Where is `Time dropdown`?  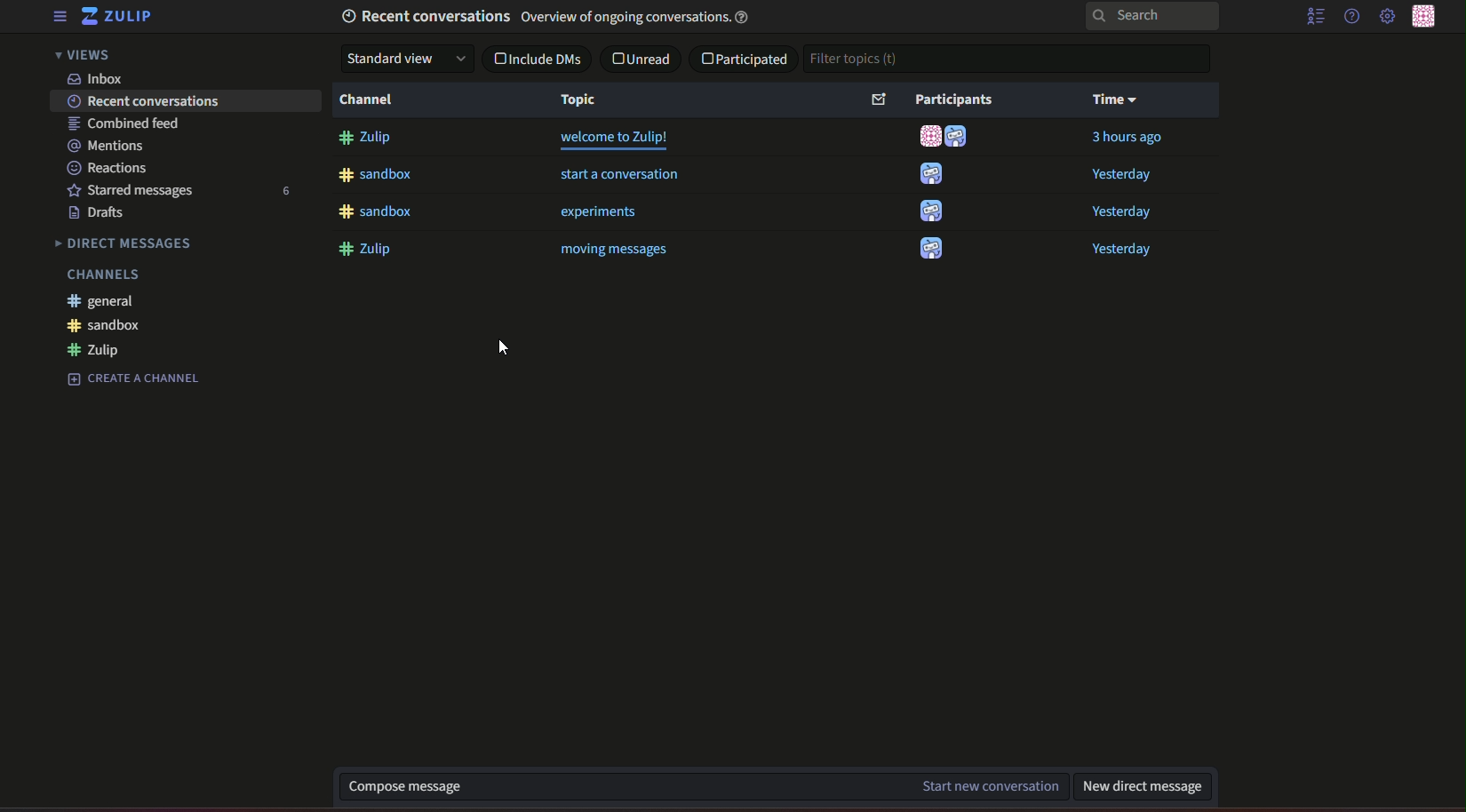
Time dropdown is located at coordinates (1115, 100).